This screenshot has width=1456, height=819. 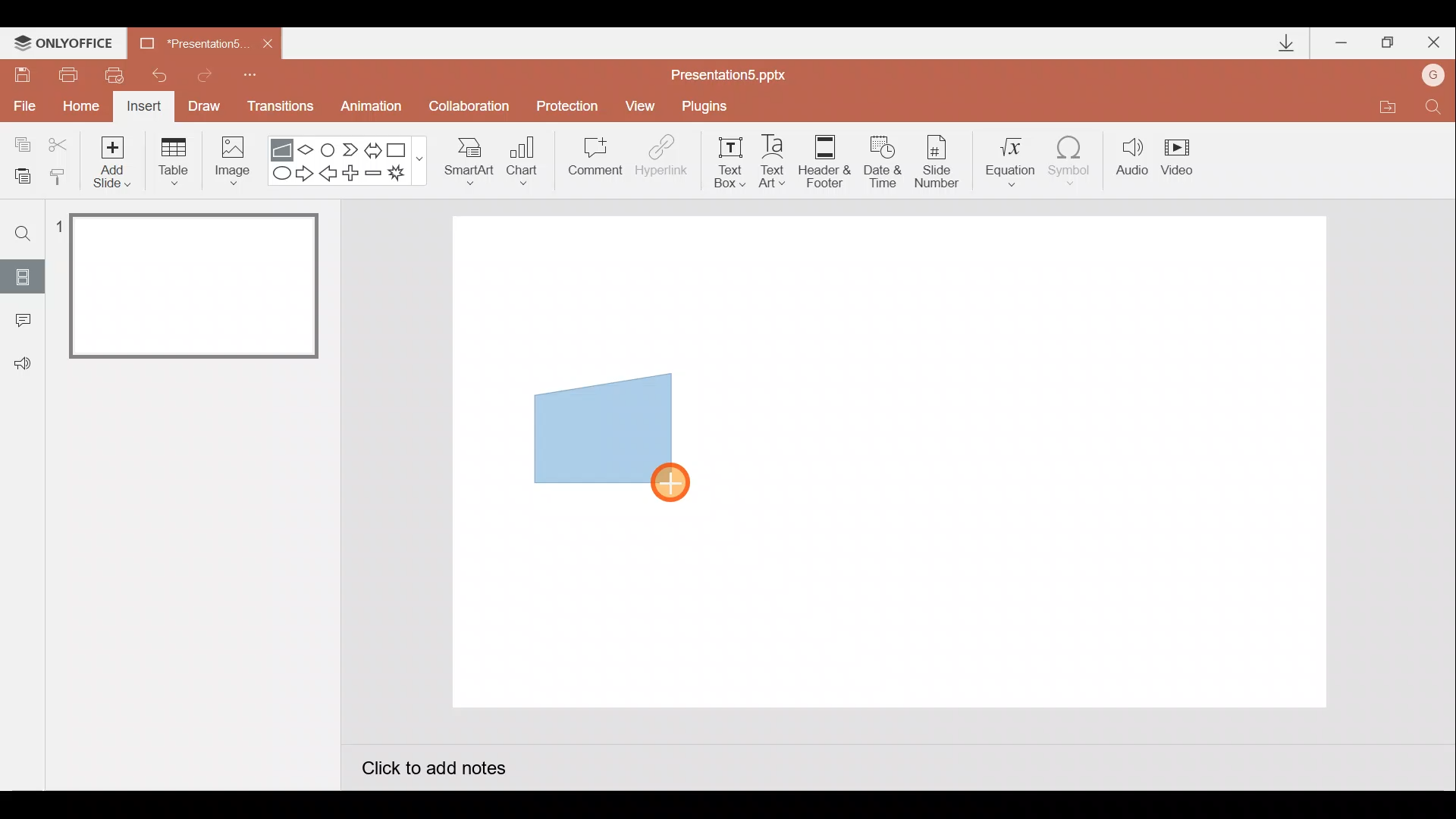 I want to click on Click to add notes, so click(x=432, y=770).